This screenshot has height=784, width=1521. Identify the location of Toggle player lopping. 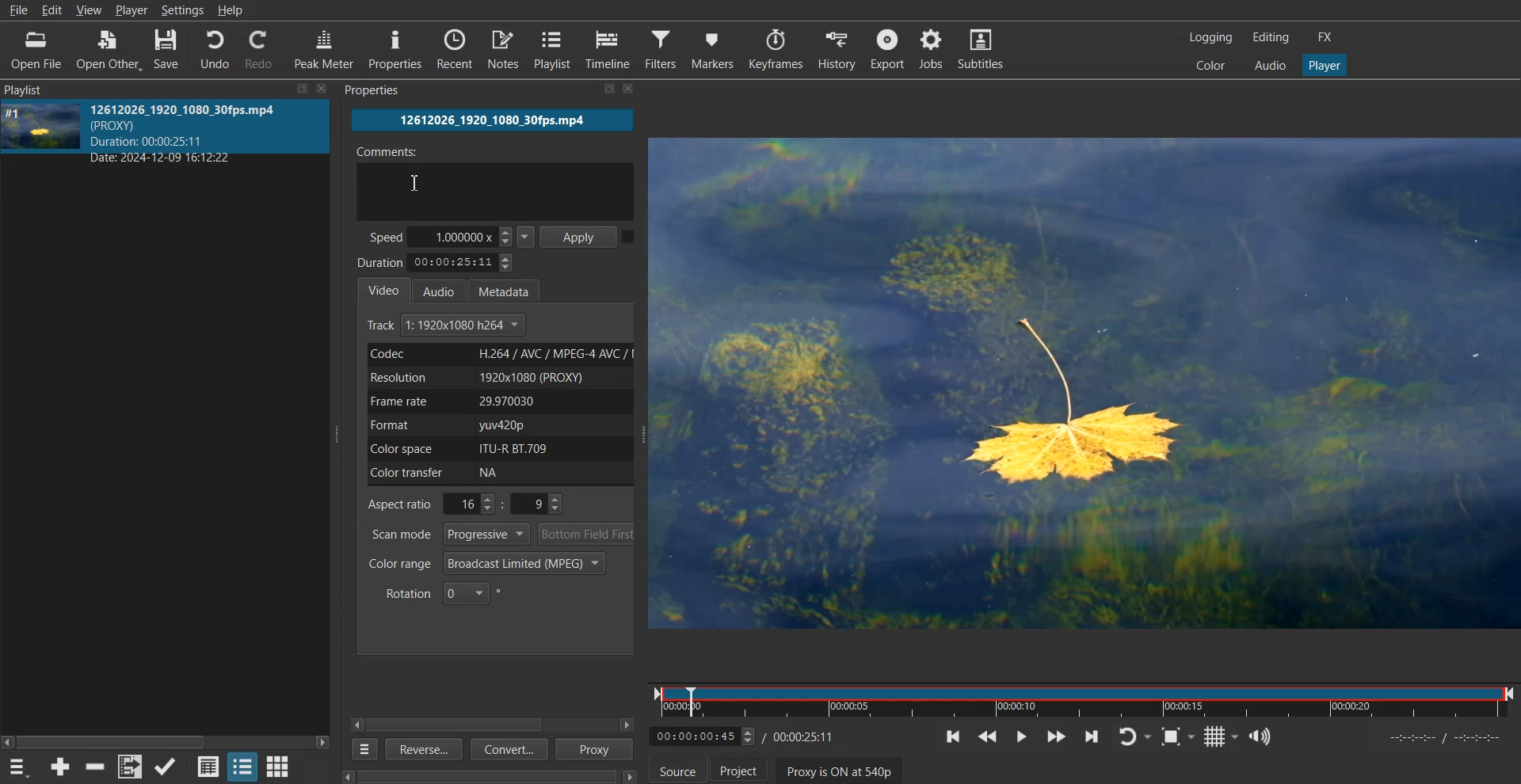
(1134, 736).